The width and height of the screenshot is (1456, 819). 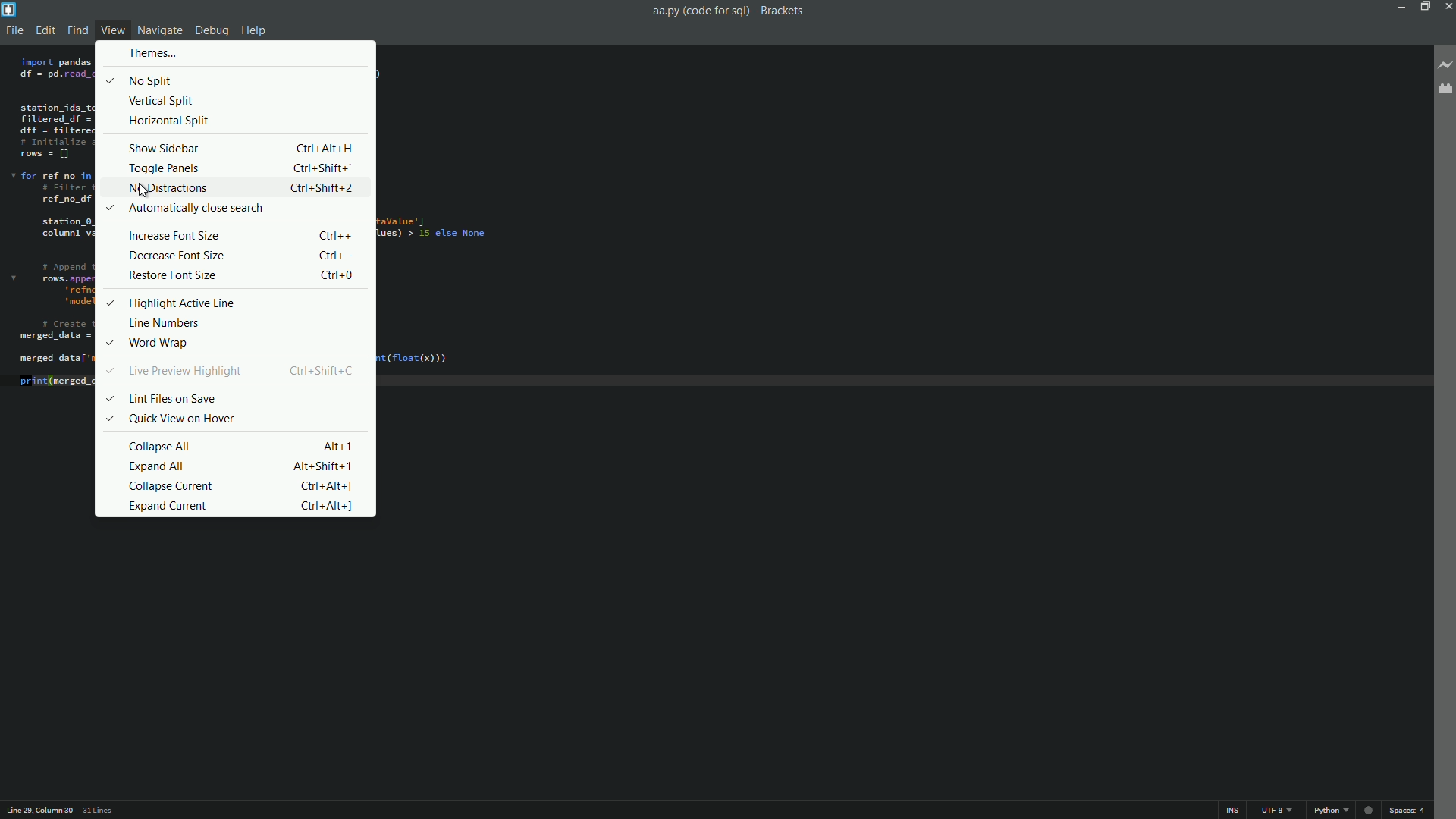 I want to click on view menu, so click(x=112, y=29).